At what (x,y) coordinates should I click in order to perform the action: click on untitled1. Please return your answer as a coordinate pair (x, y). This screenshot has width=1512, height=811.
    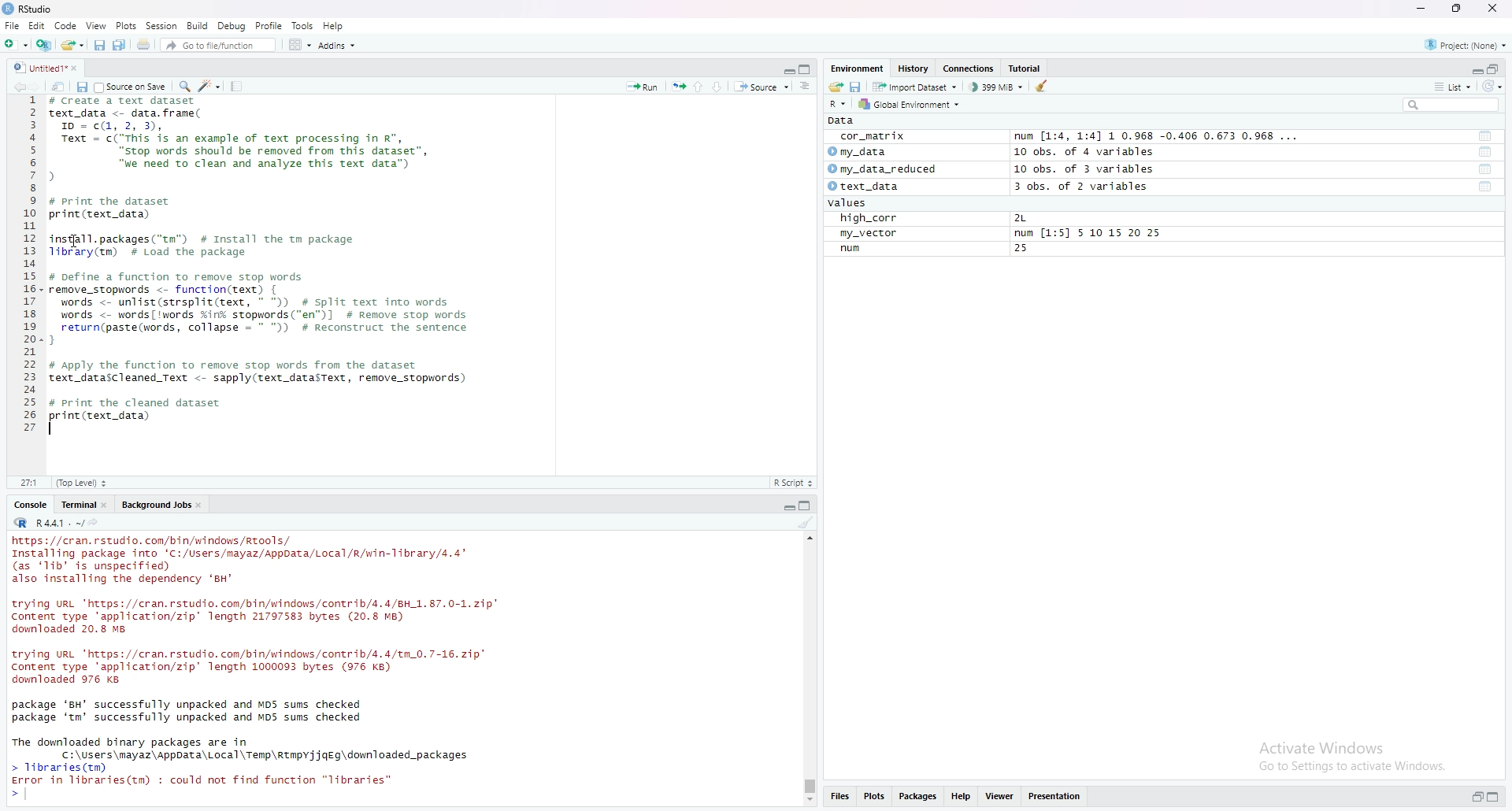
    Looking at the image, I should click on (48, 67).